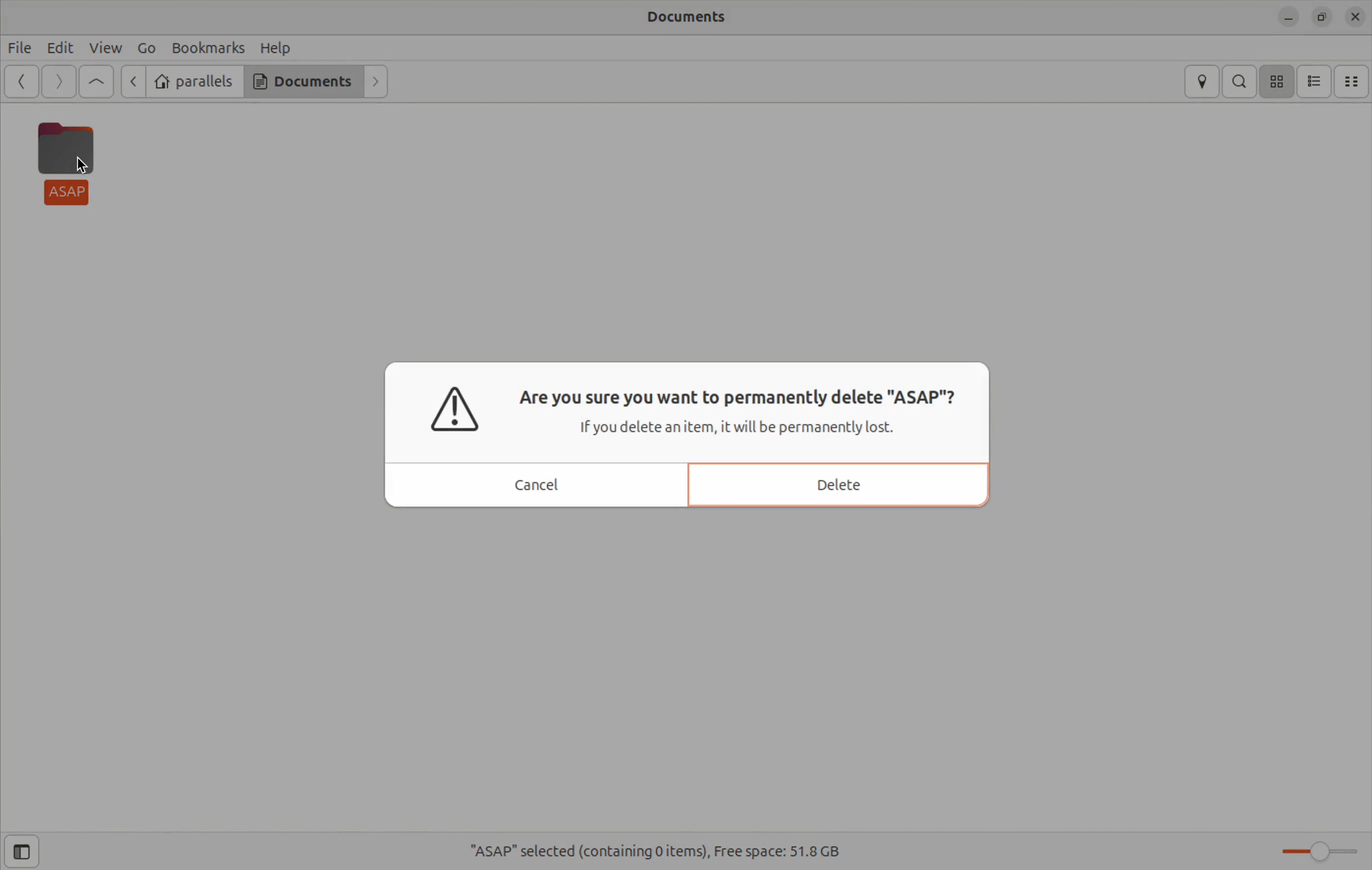 The height and width of the screenshot is (870, 1372). I want to click on locations, so click(1201, 81).